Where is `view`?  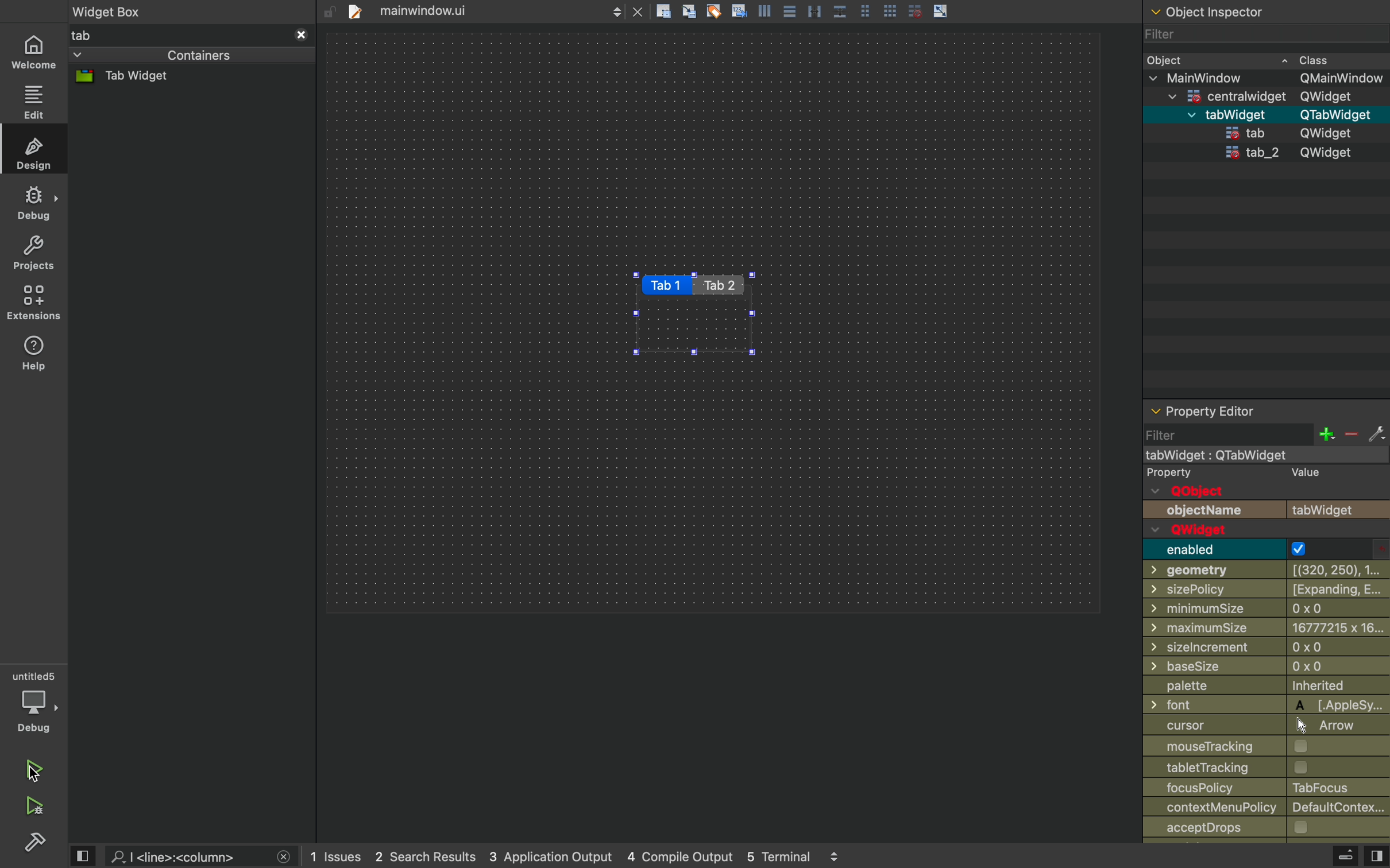
view is located at coordinates (1376, 857).